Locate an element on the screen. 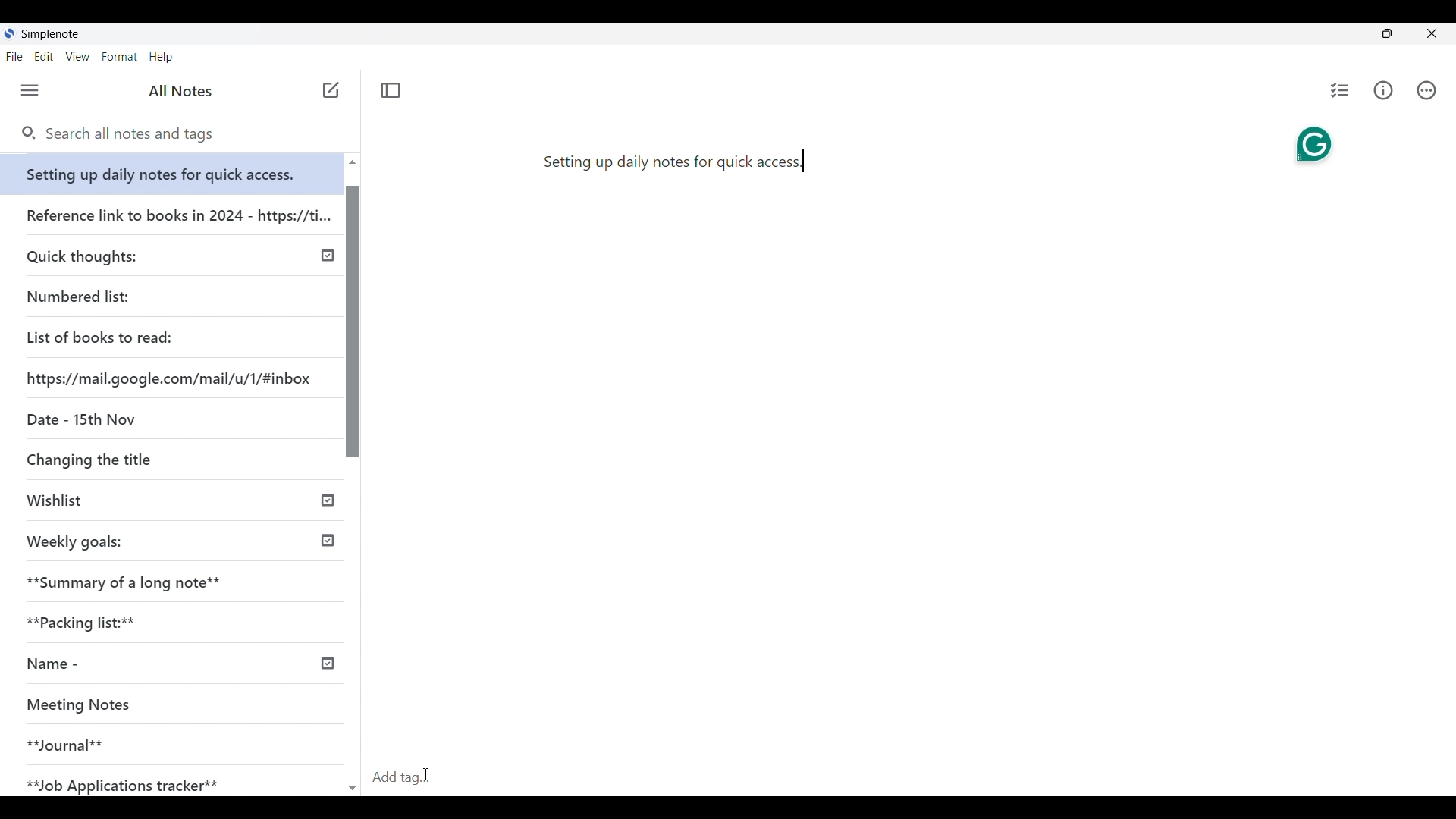 The width and height of the screenshot is (1456, 819). Edit menu is located at coordinates (44, 57).